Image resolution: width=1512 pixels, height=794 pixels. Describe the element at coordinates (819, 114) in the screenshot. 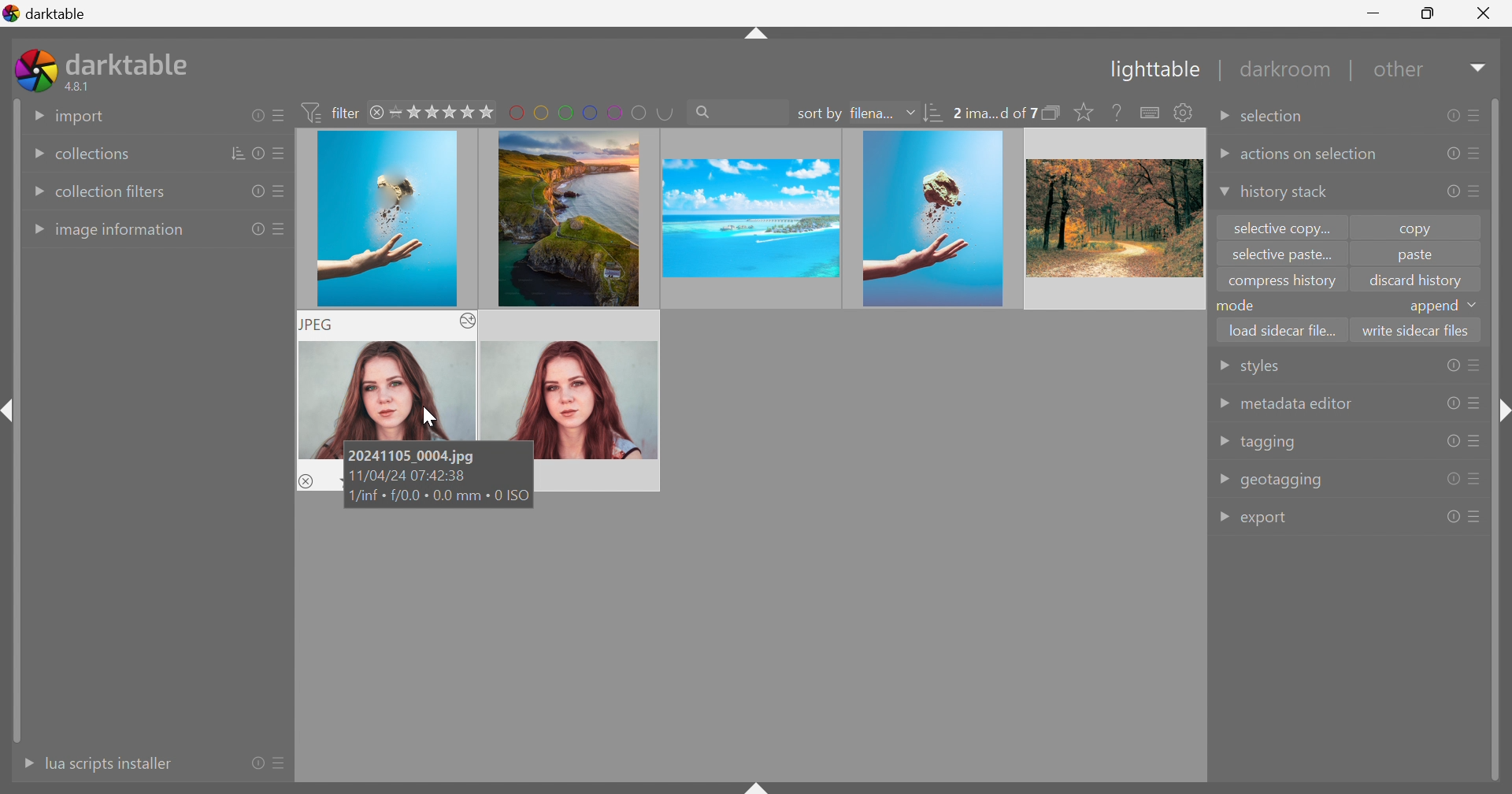

I see `sort by` at that location.